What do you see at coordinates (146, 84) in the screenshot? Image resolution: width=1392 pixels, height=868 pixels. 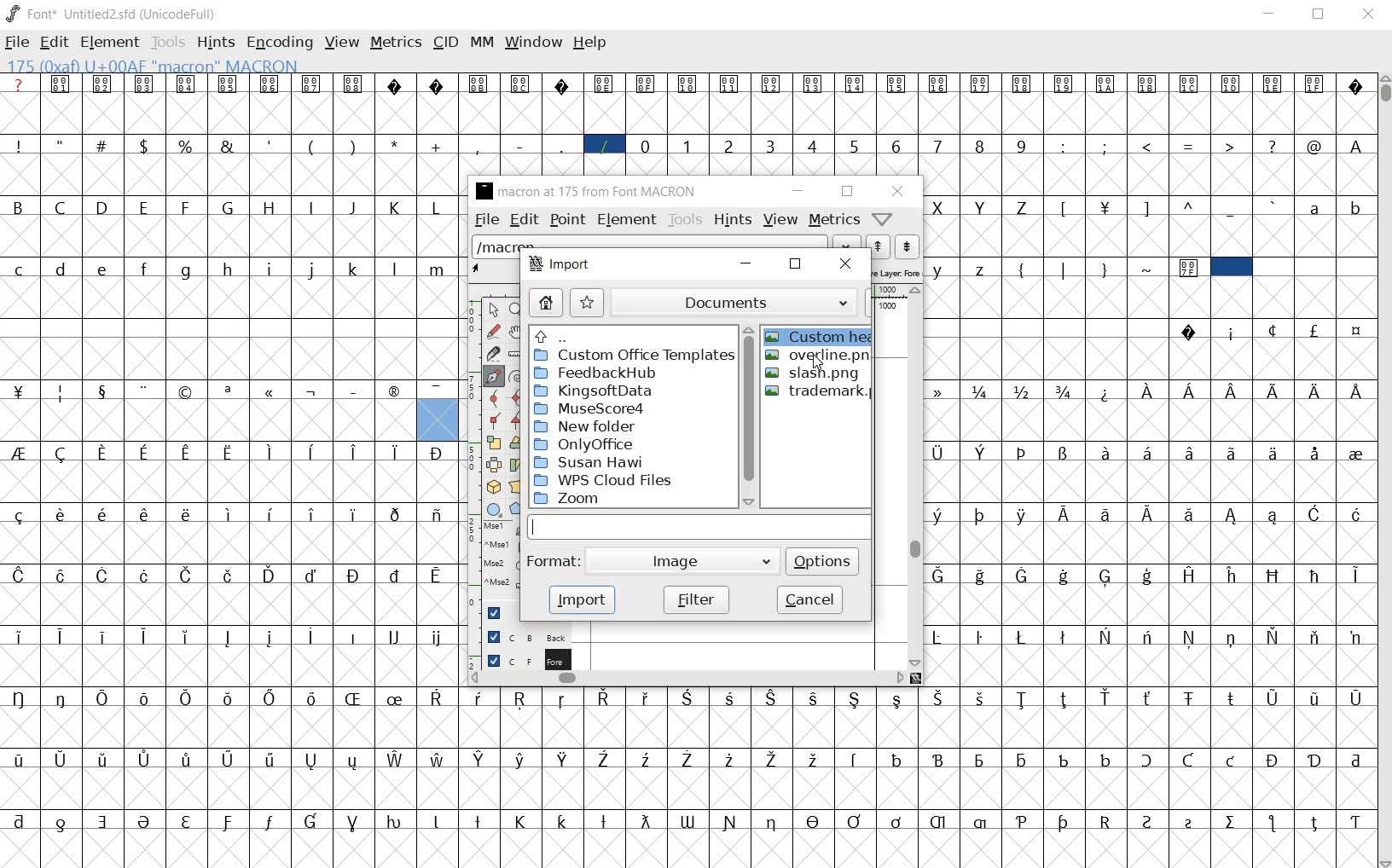 I see `Symbol` at bounding box center [146, 84].